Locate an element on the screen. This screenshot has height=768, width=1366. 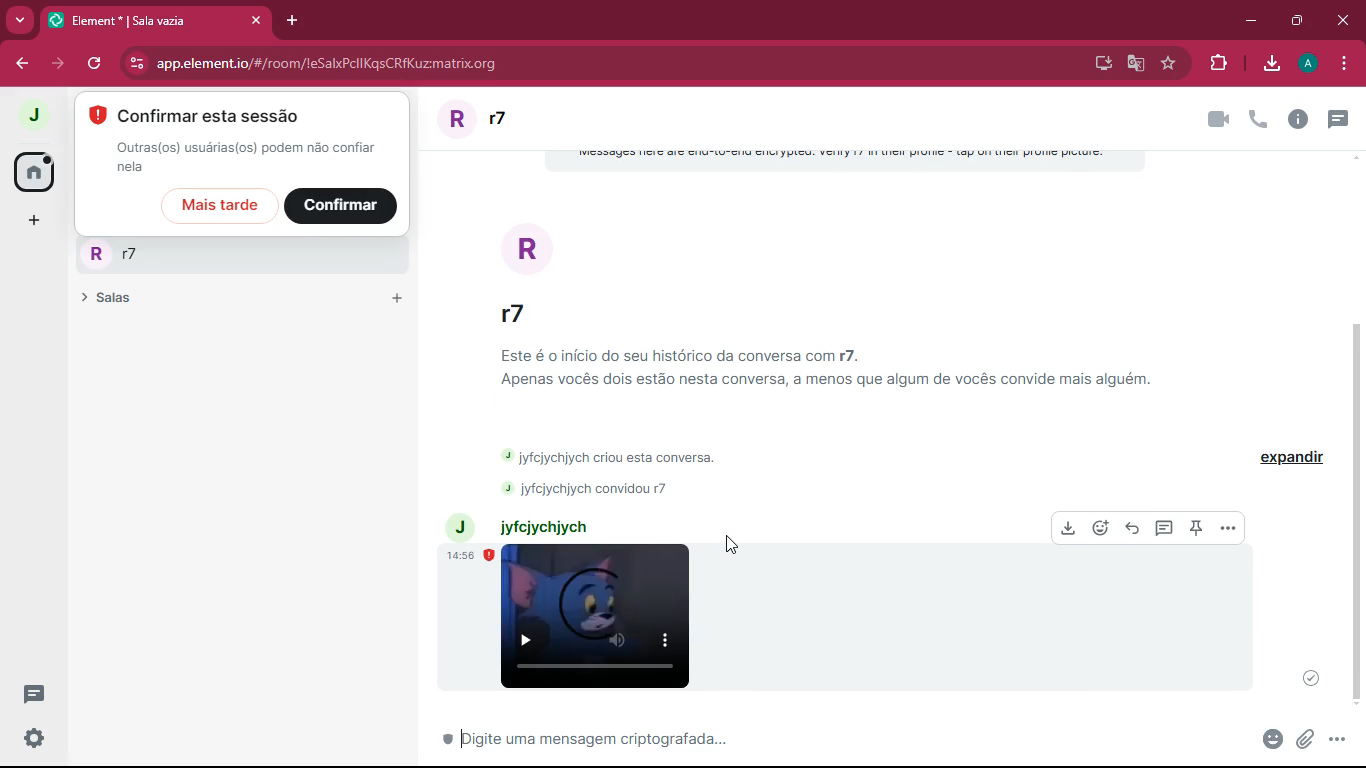
anexo is located at coordinates (1260, 740).